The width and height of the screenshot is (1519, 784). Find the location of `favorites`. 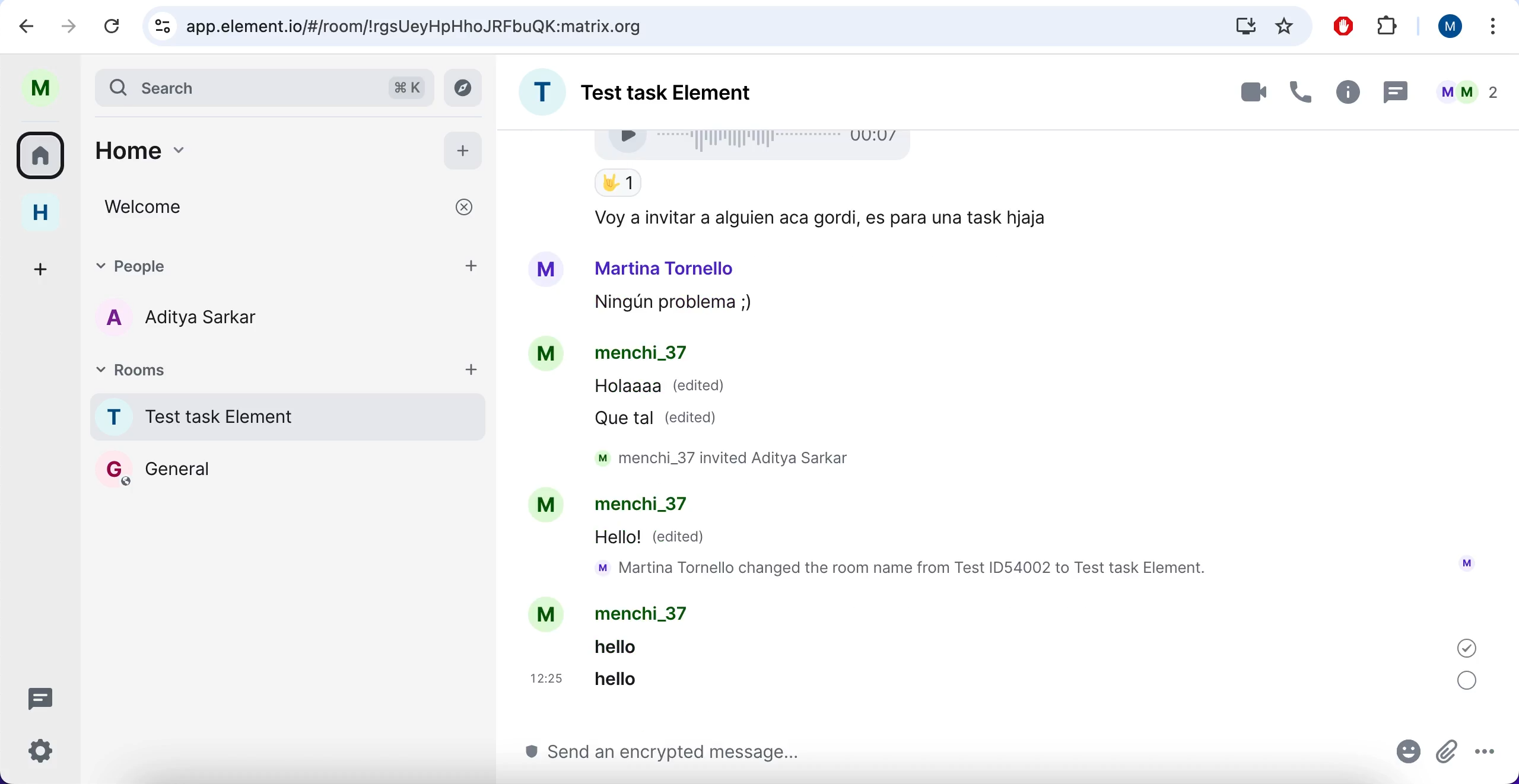

favorites is located at coordinates (1285, 27).